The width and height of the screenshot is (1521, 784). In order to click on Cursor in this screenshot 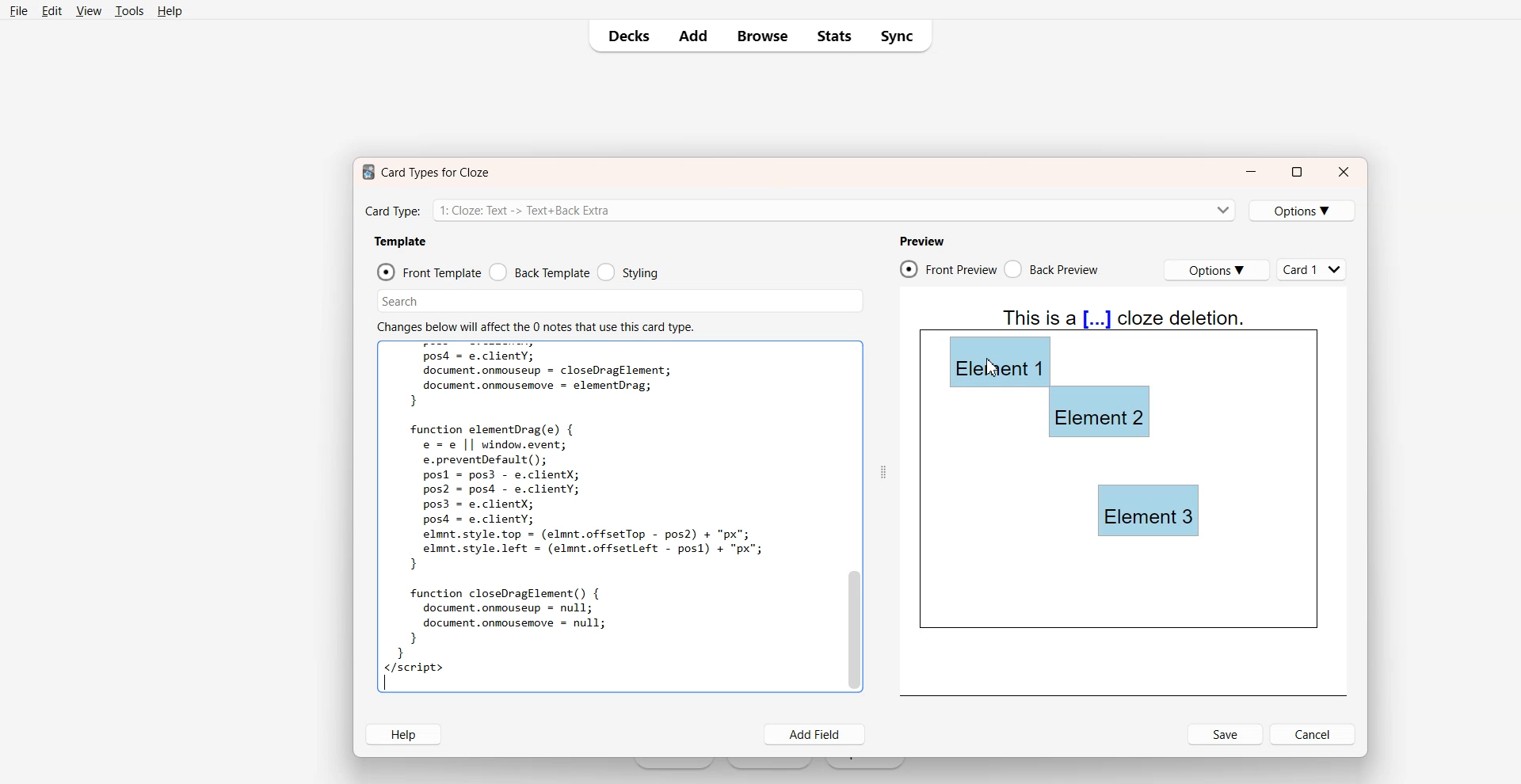, I will do `click(993, 368)`.